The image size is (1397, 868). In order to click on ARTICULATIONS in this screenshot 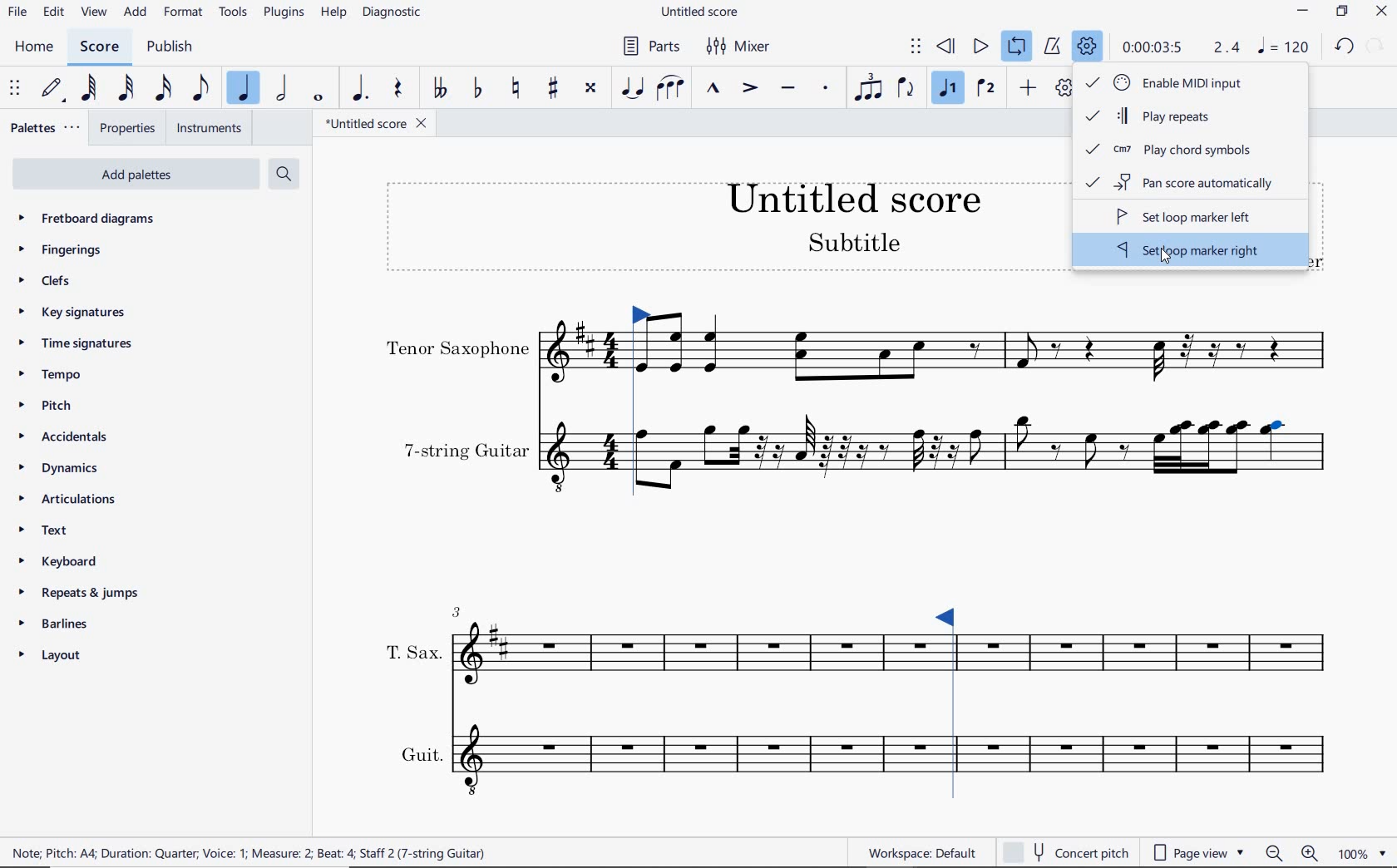, I will do `click(67, 499)`.